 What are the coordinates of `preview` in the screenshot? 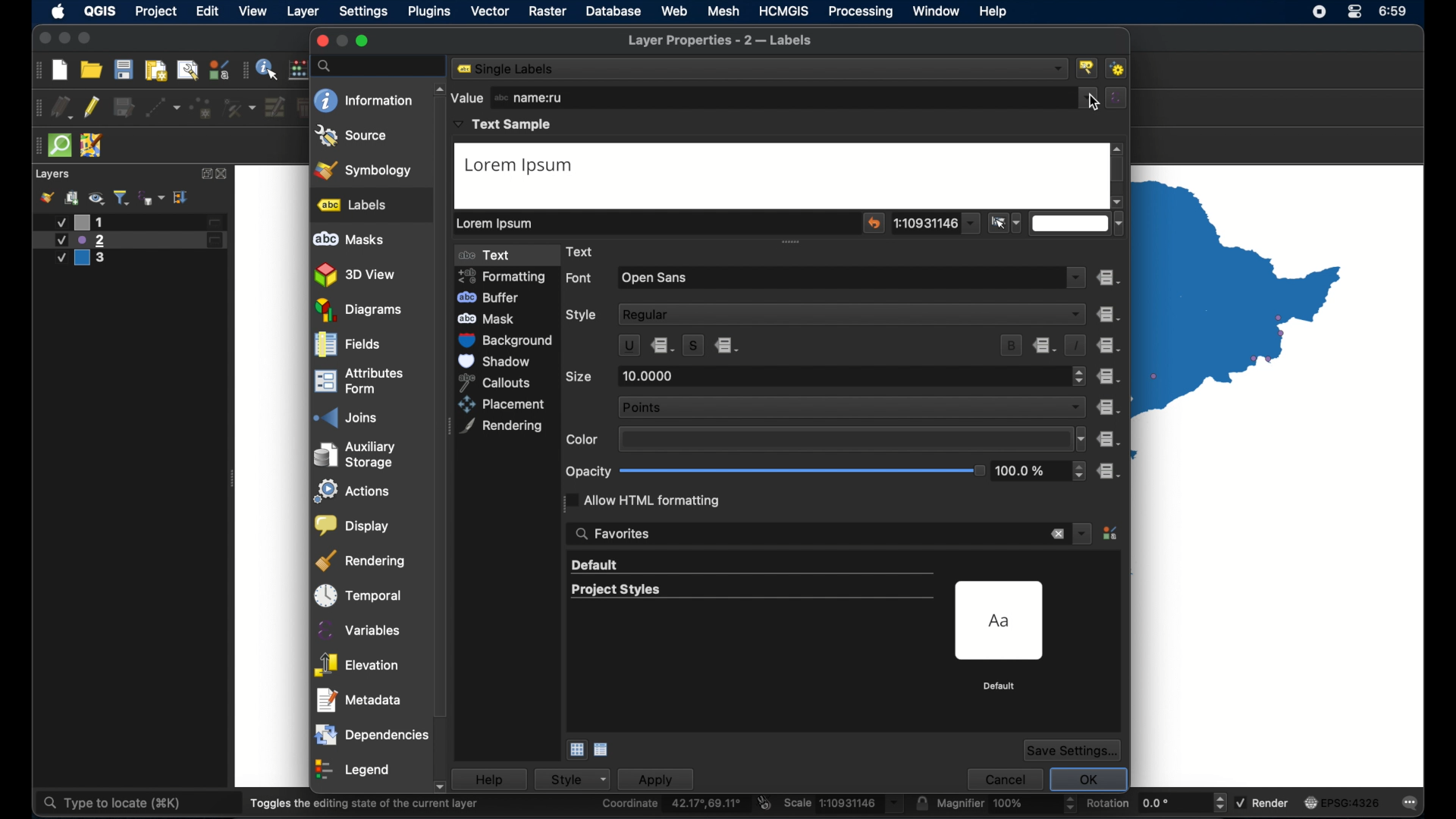 It's located at (1002, 621).